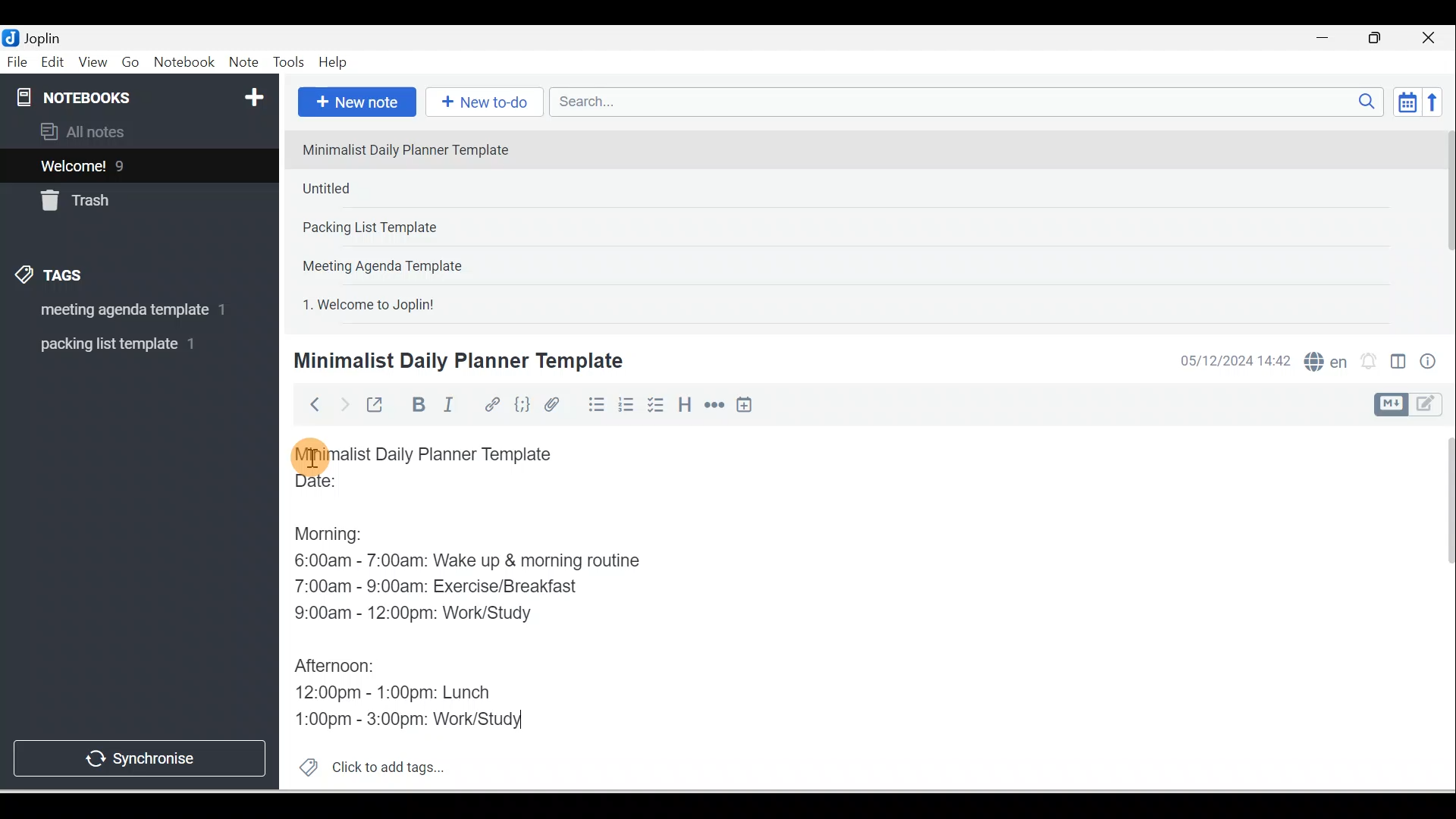 This screenshot has height=819, width=1456. What do you see at coordinates (366, 765) in the screenshot?
I see `Click to add tags` at bounding box center [366, 765].